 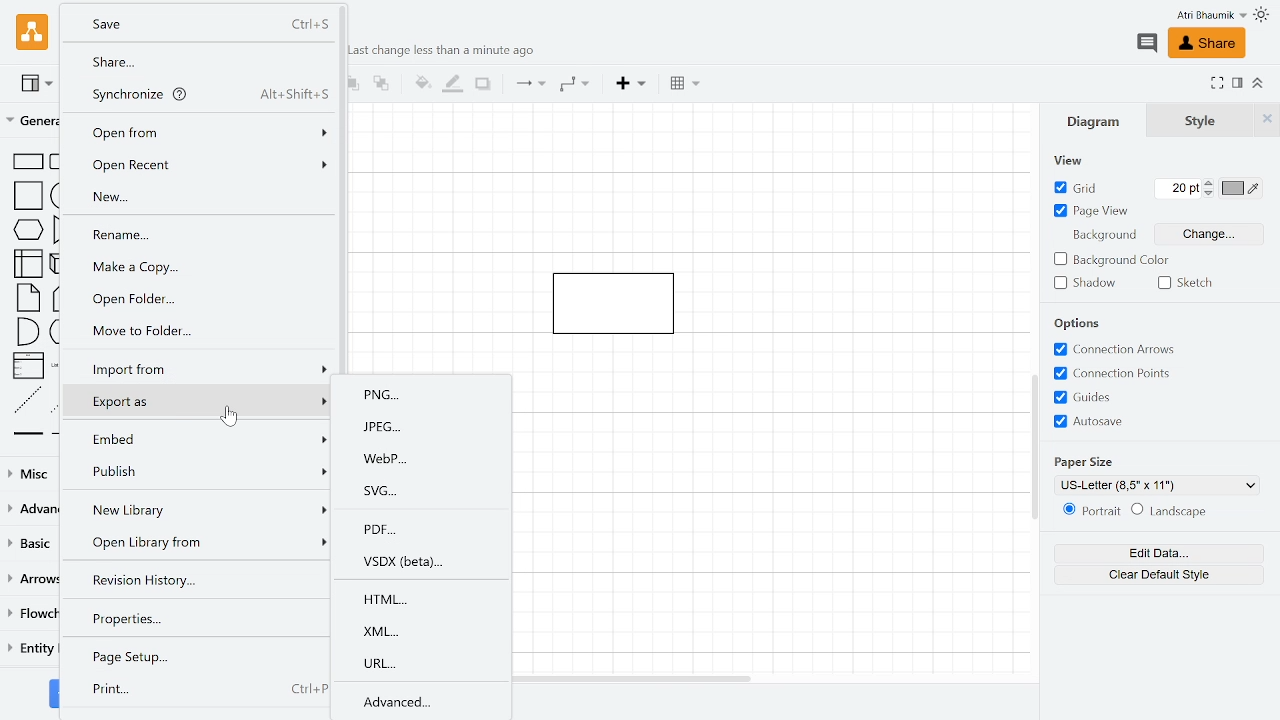 I want to click on Open form, so click(x=203, y=131).